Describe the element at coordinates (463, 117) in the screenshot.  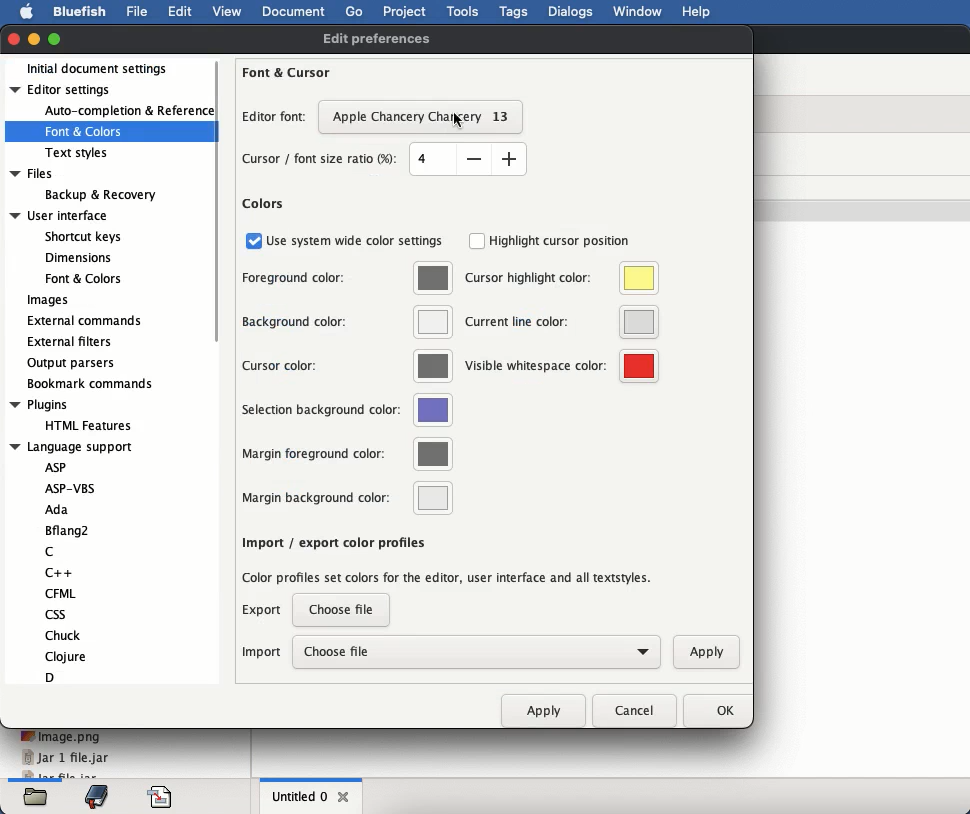
I see `Cursor` at that location.